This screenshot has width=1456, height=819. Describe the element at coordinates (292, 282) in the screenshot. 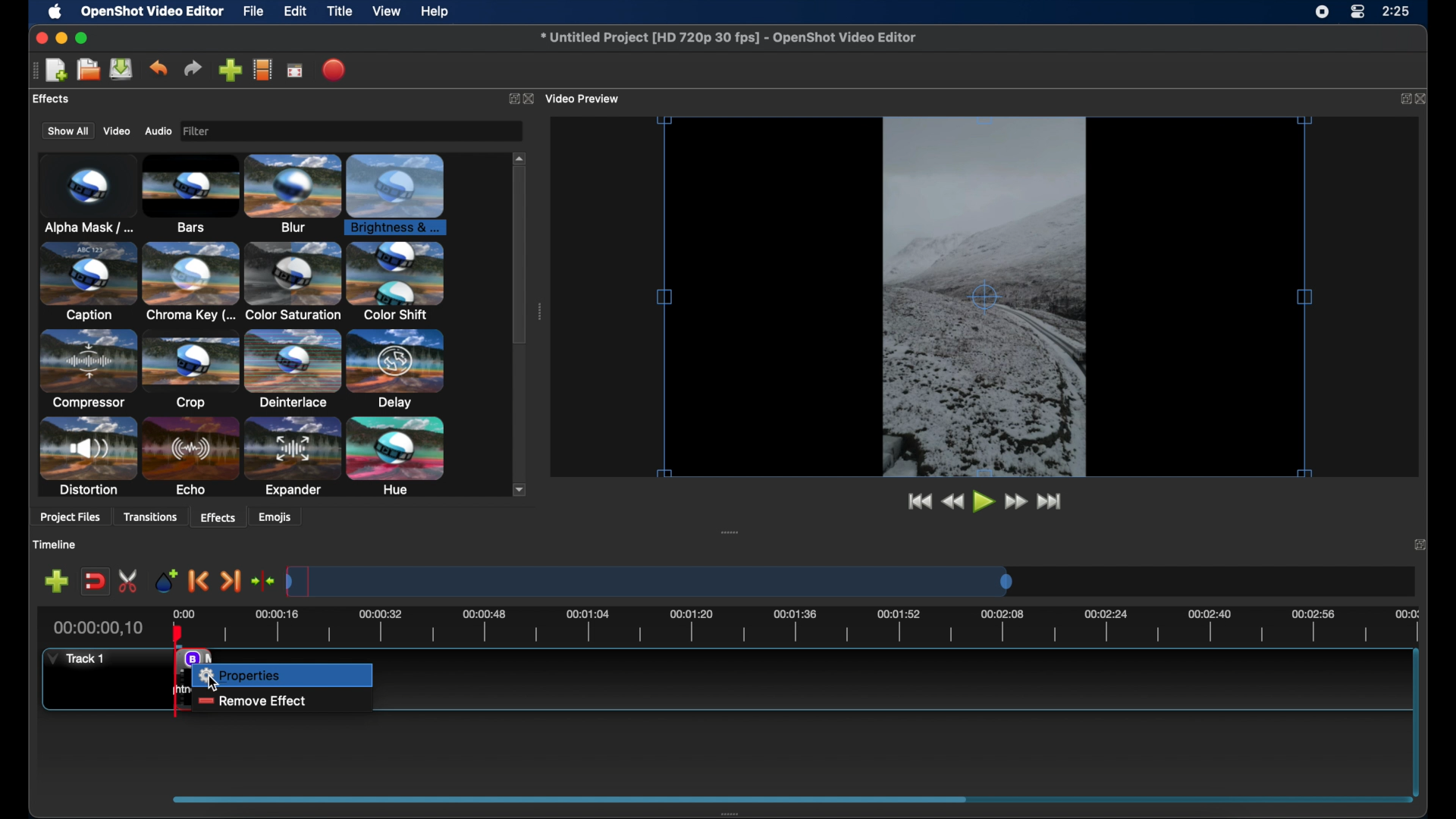

I see `color saturation` at that location.